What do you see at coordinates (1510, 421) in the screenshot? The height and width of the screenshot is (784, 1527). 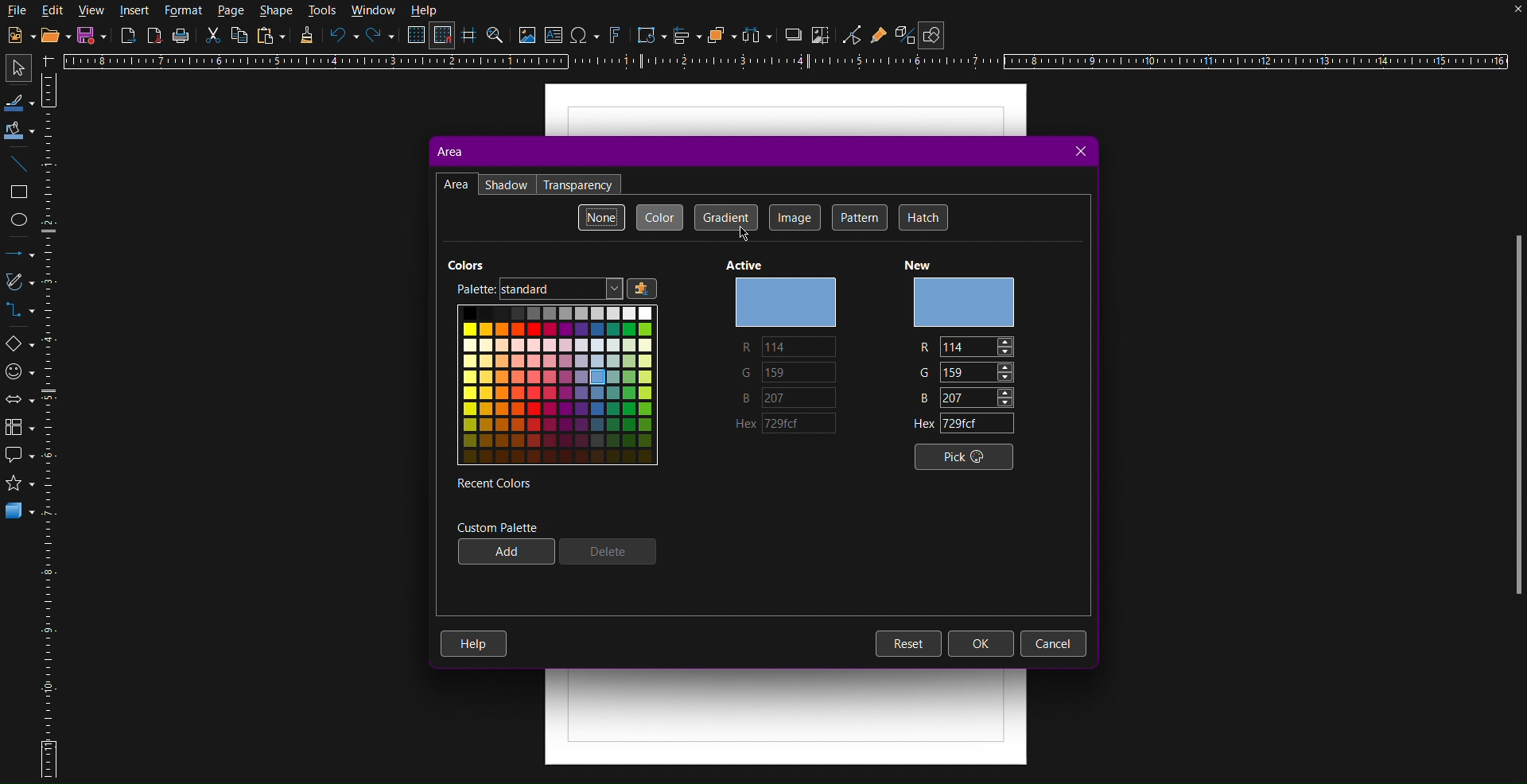 I see `scroll bar` at bounding box center [1510, 421].